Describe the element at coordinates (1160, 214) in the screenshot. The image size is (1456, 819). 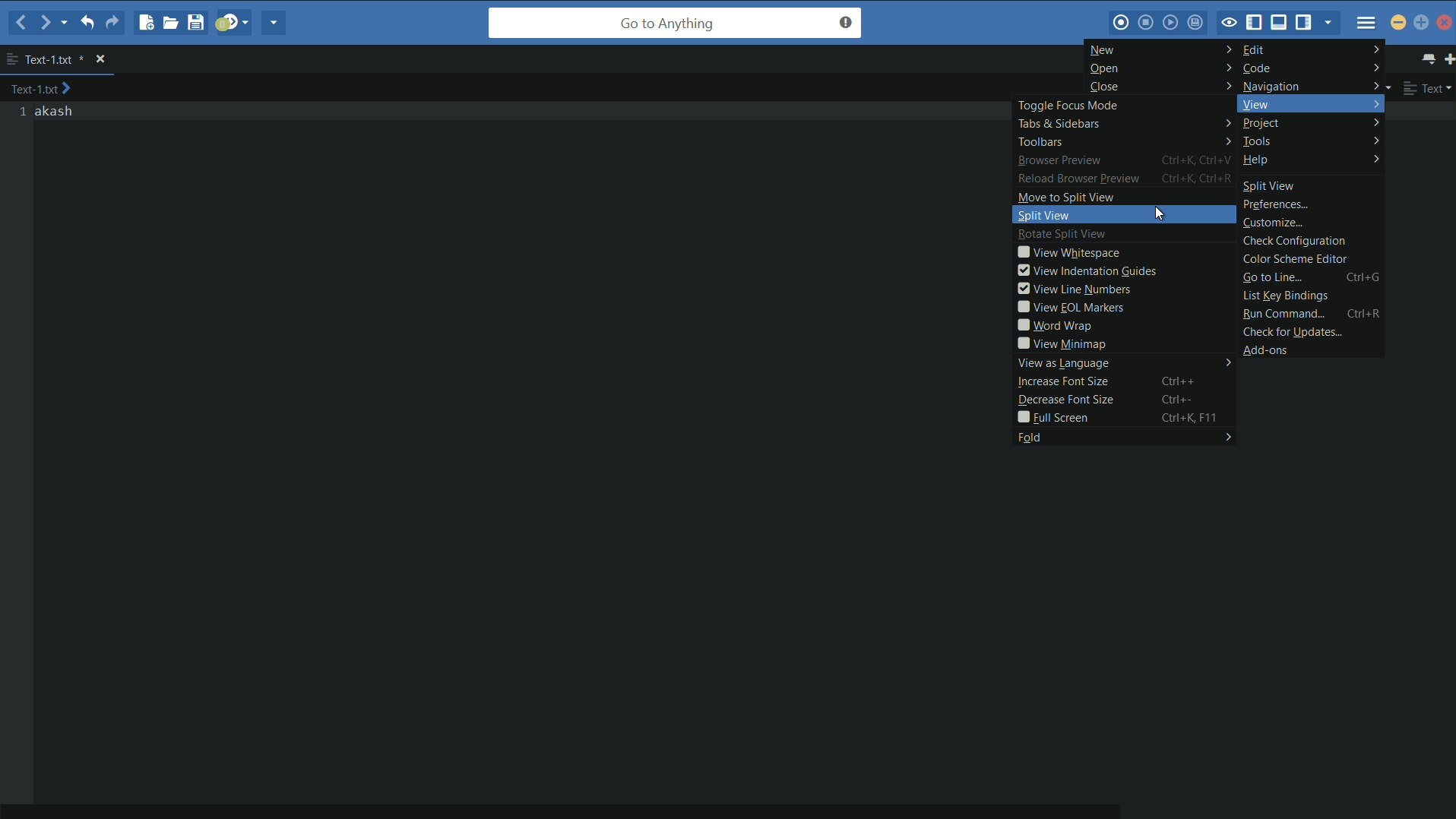
I see `cursor` at that location.